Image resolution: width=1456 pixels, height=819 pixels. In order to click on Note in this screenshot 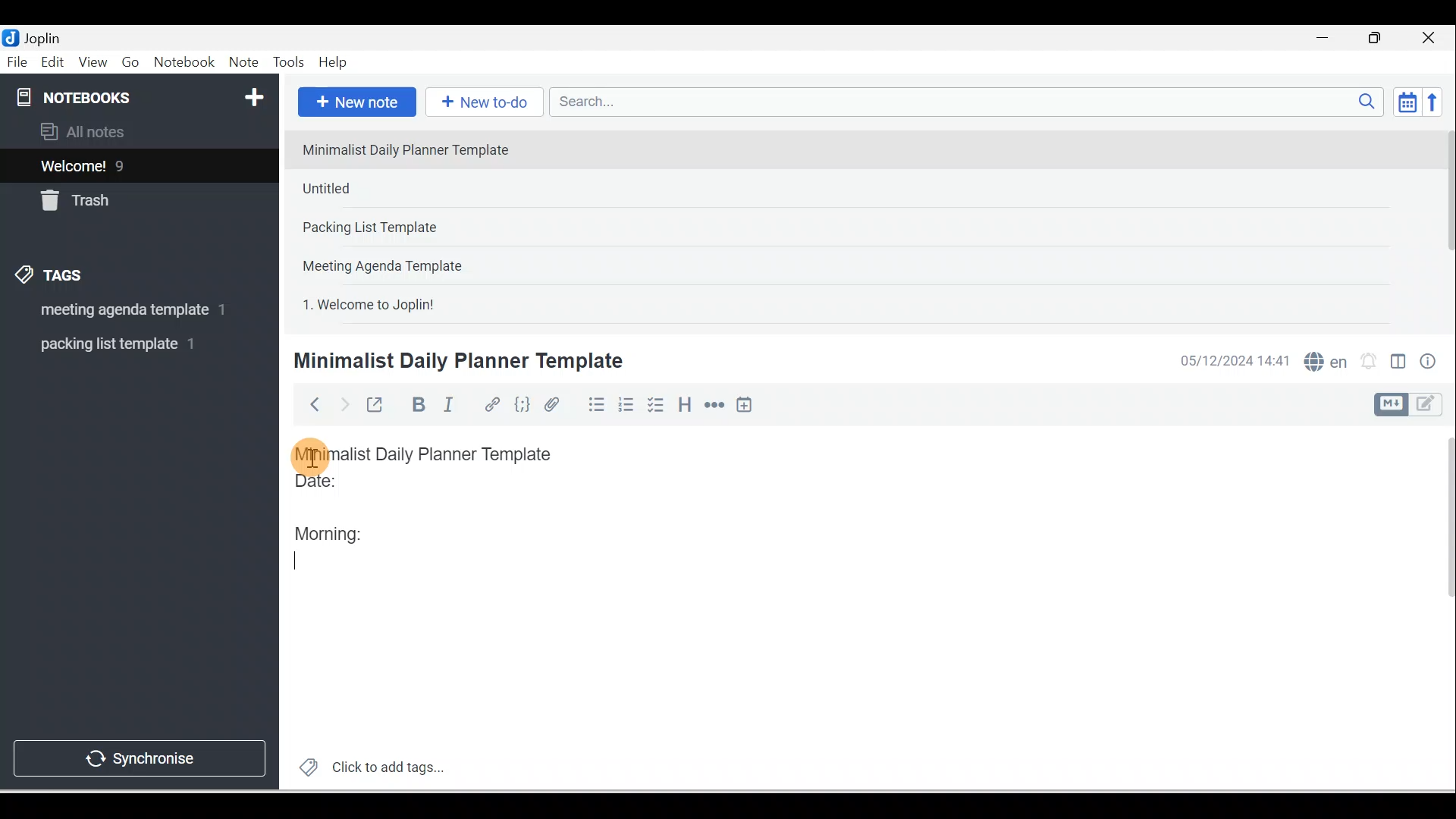, I will do `click(242, 63)`.